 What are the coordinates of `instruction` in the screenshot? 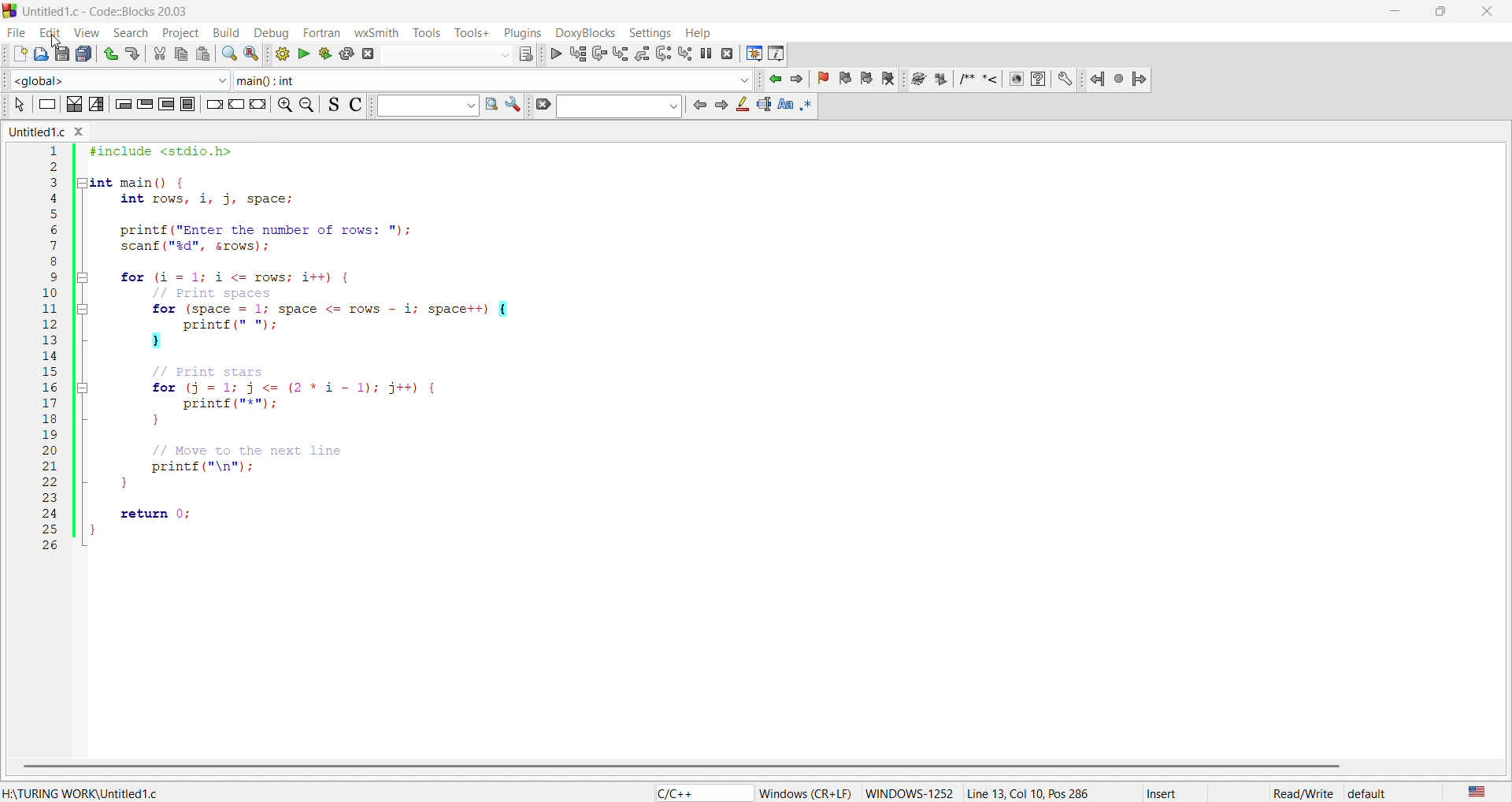 It's located at (45, 105).